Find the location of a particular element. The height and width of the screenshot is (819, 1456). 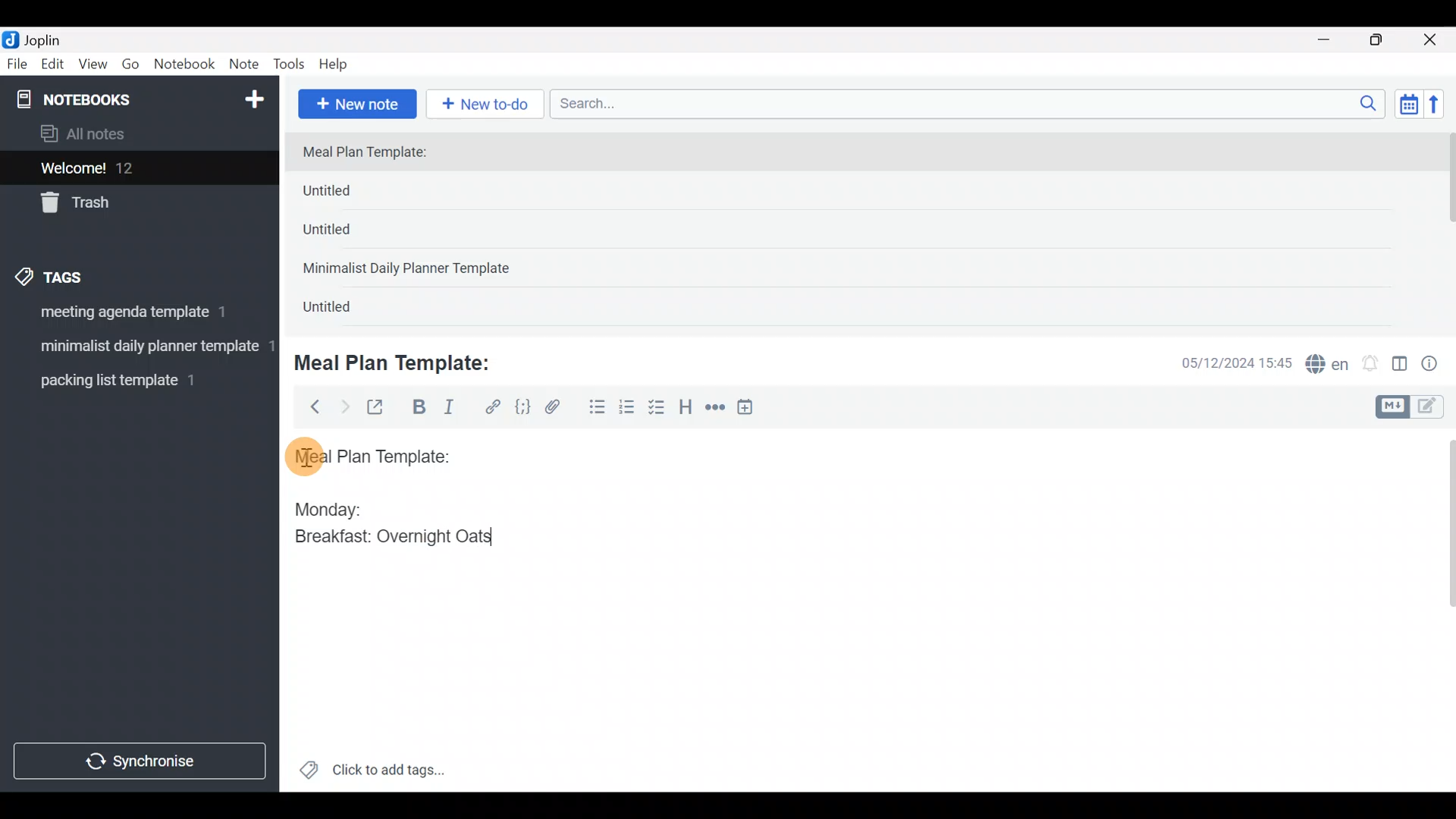

Numbered list is located at coordinates (627, 410).